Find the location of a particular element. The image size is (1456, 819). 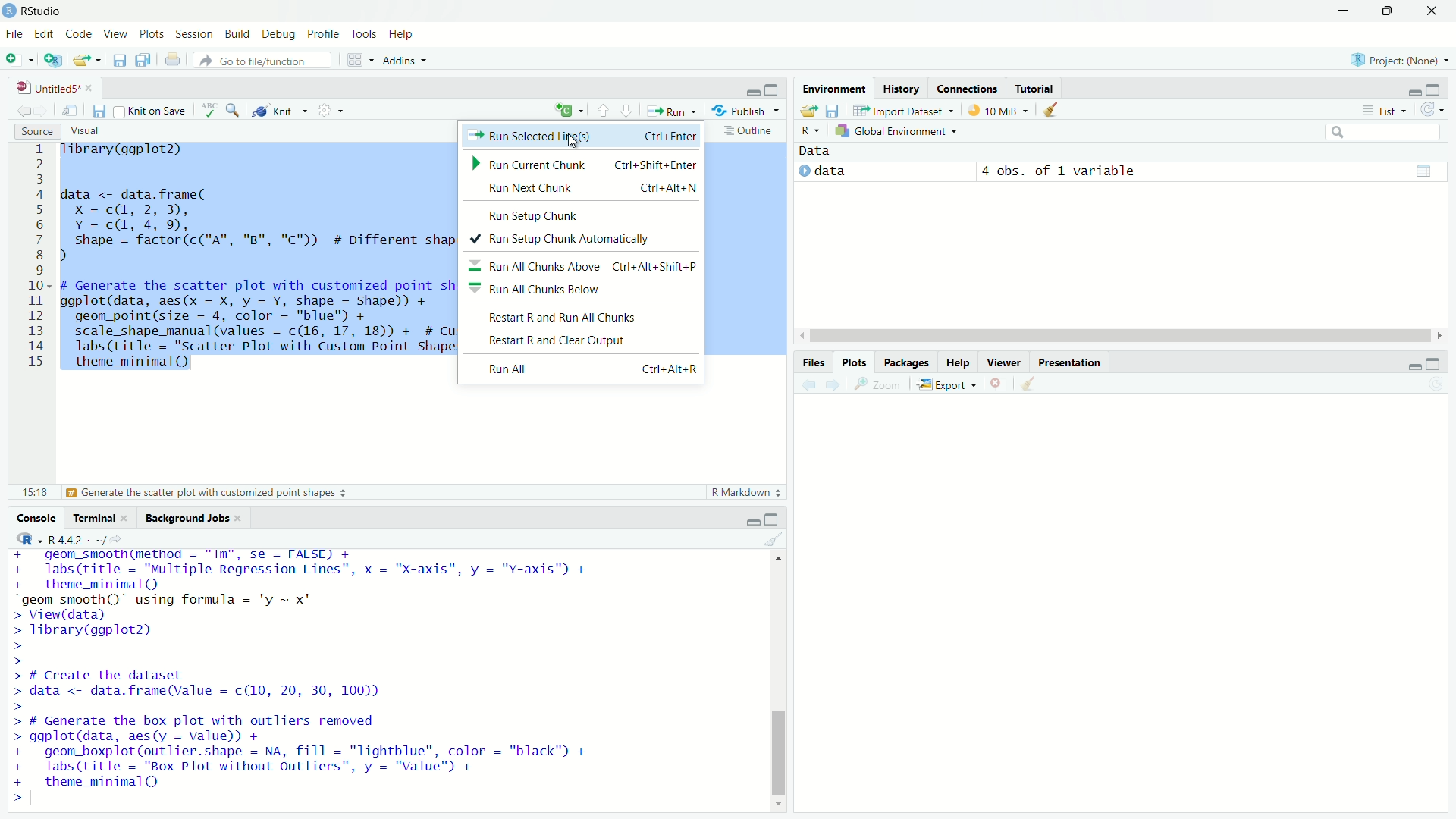

History is located at coordinates (900, 88).